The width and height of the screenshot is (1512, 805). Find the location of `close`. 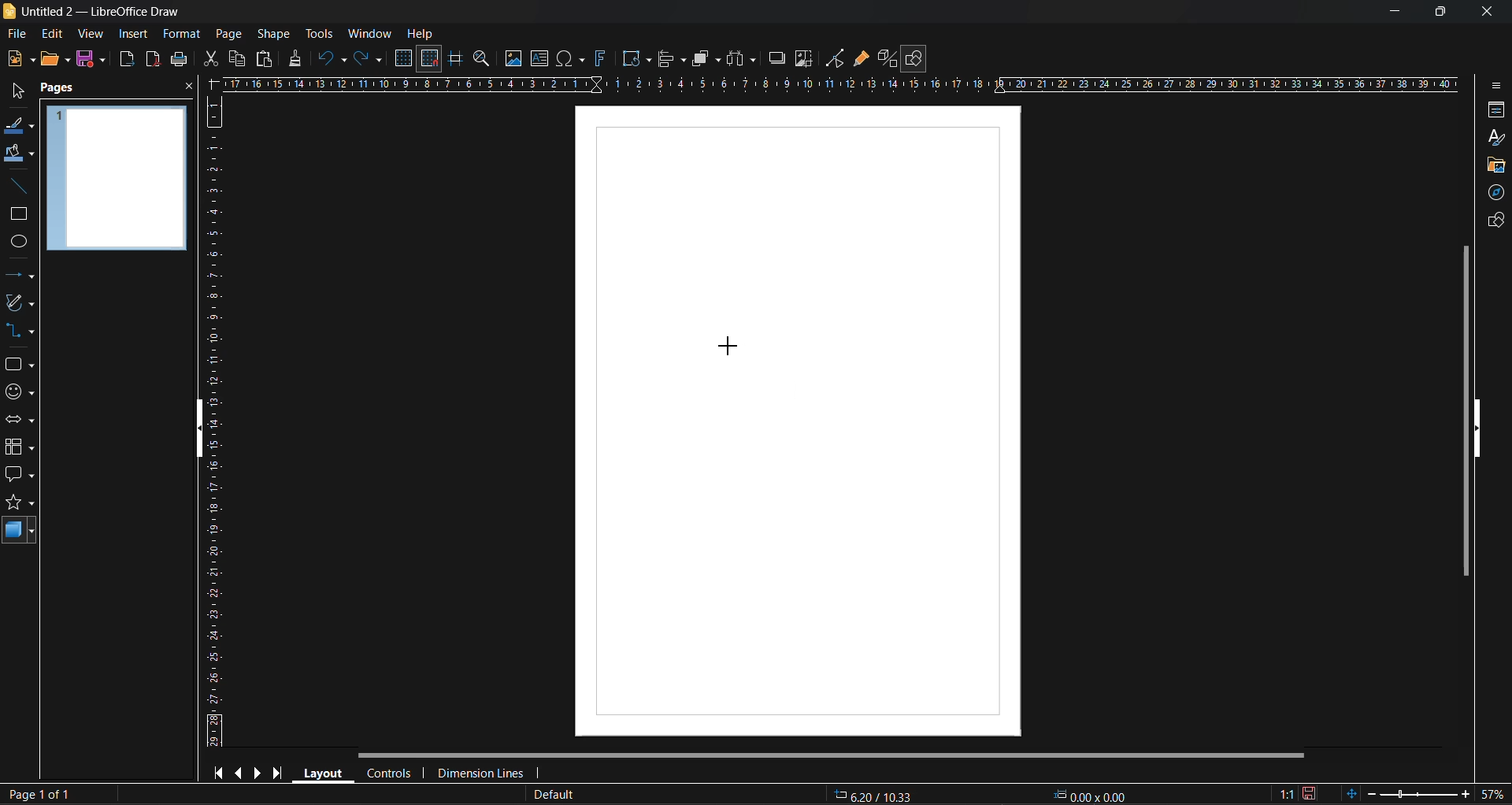

close is located at coordinates (1484, 9).